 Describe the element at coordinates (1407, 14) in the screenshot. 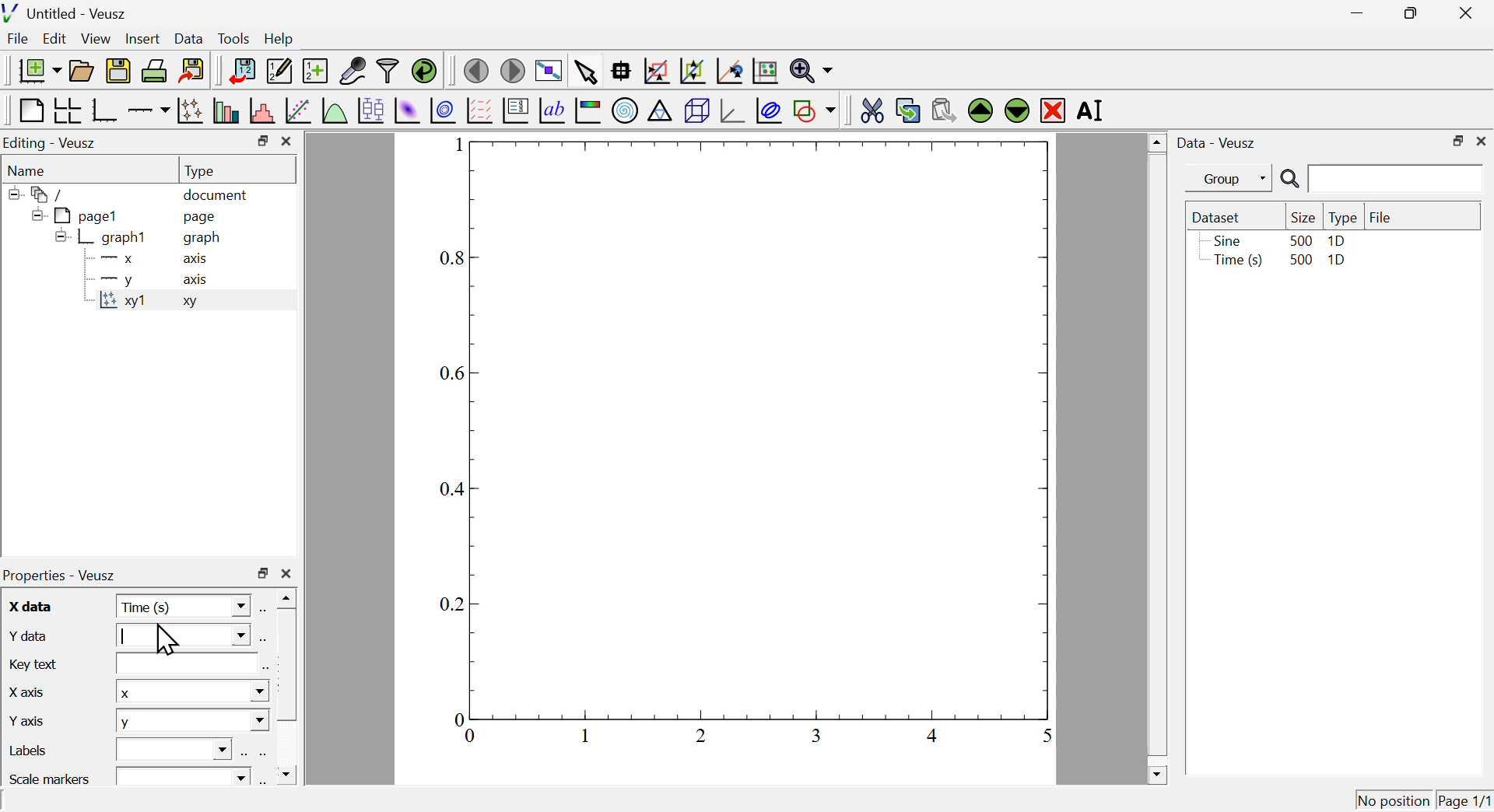

I see `maximize` at that location.